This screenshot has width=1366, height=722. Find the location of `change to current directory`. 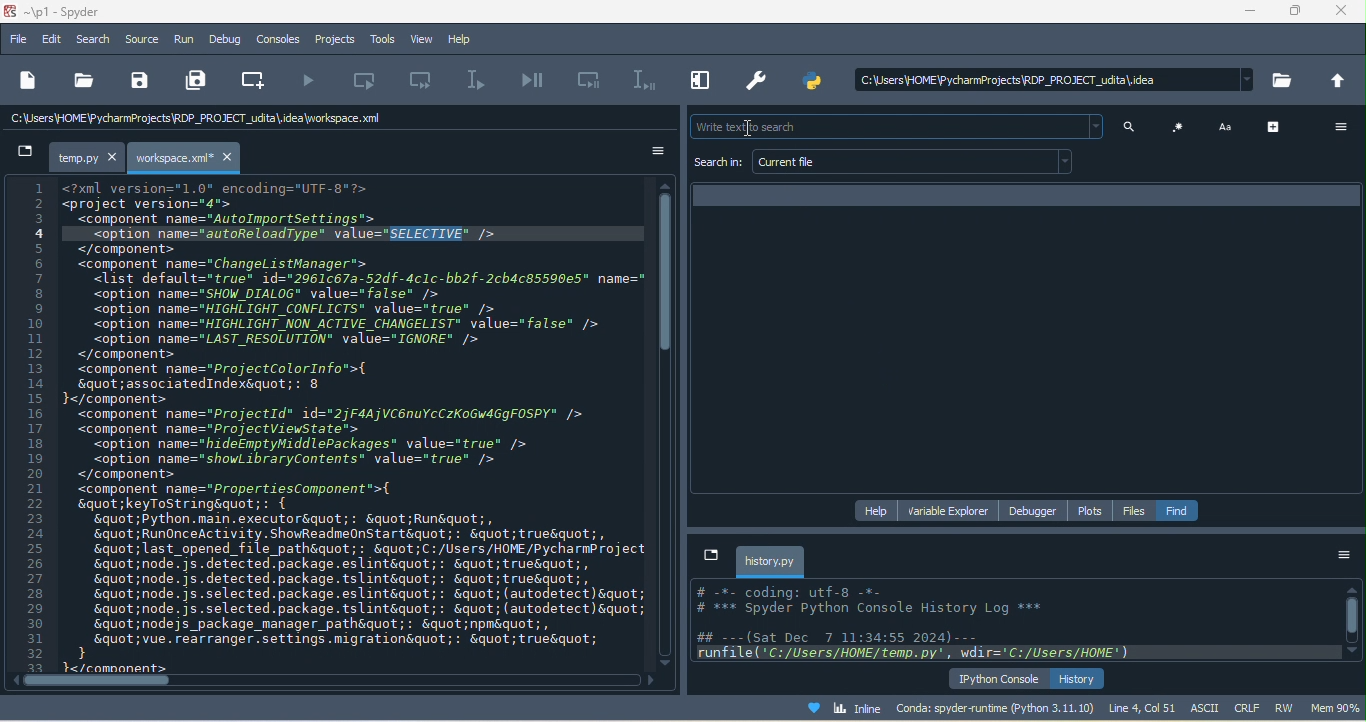

change to current directory is located at coordinates (1340, 81).